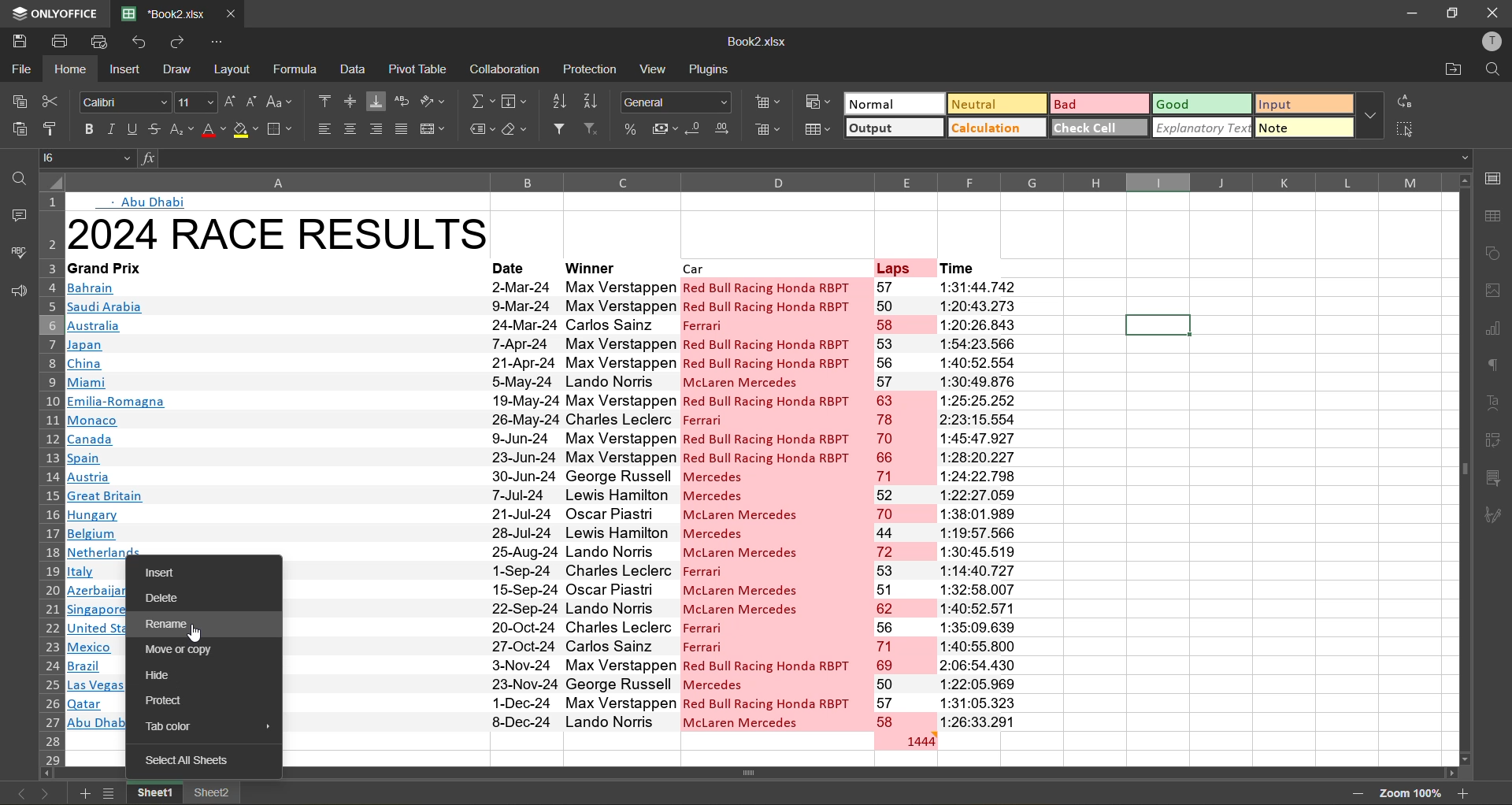 The height and width of the screenshot is (805, 1512). I want to click on text, so click(1496, 406).